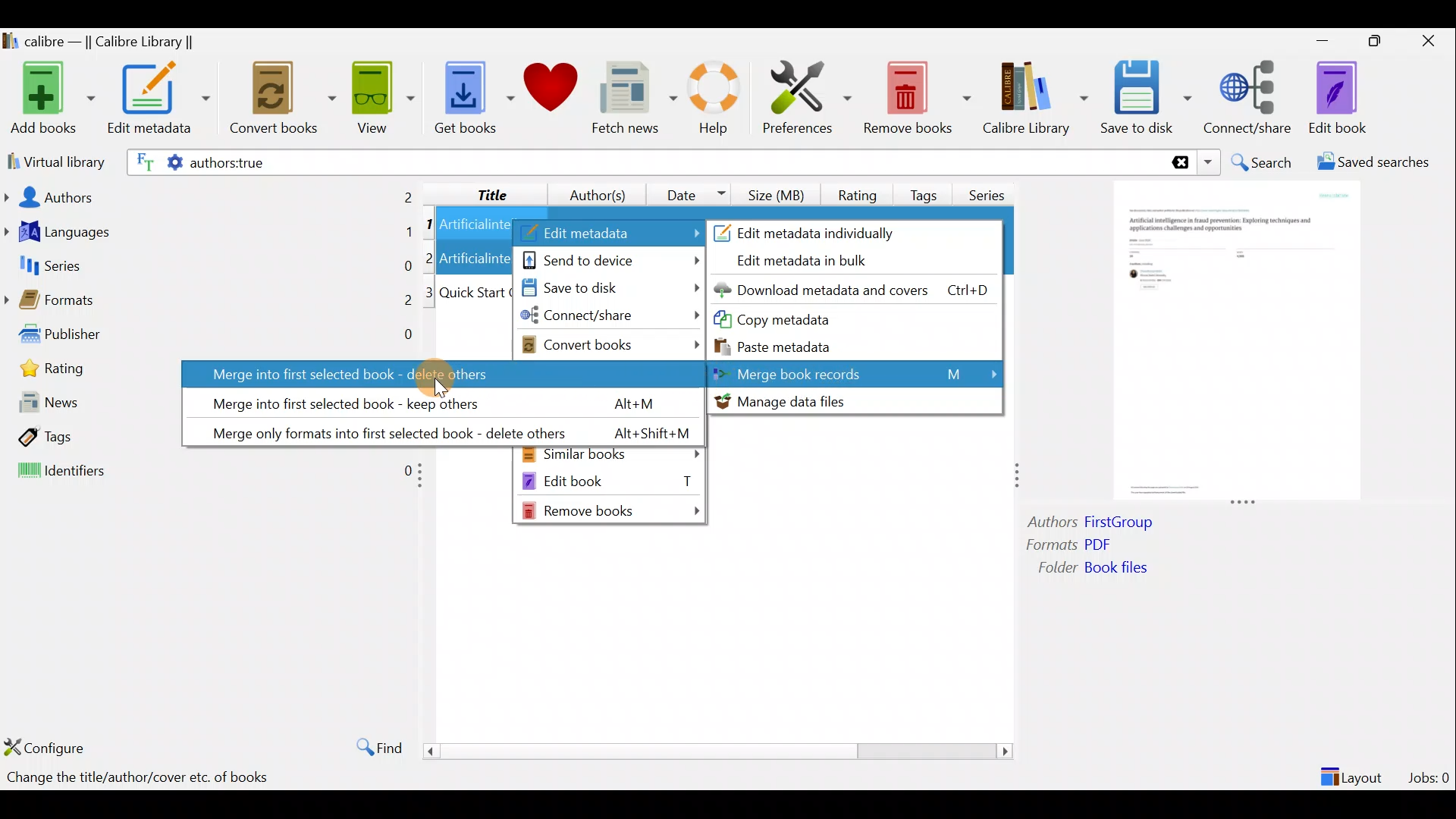 The width and height of the screenshot is (1456, 819). Describe the element at coordinates (1378, 164) in the screenshot. I see `Saved searches` at that location.